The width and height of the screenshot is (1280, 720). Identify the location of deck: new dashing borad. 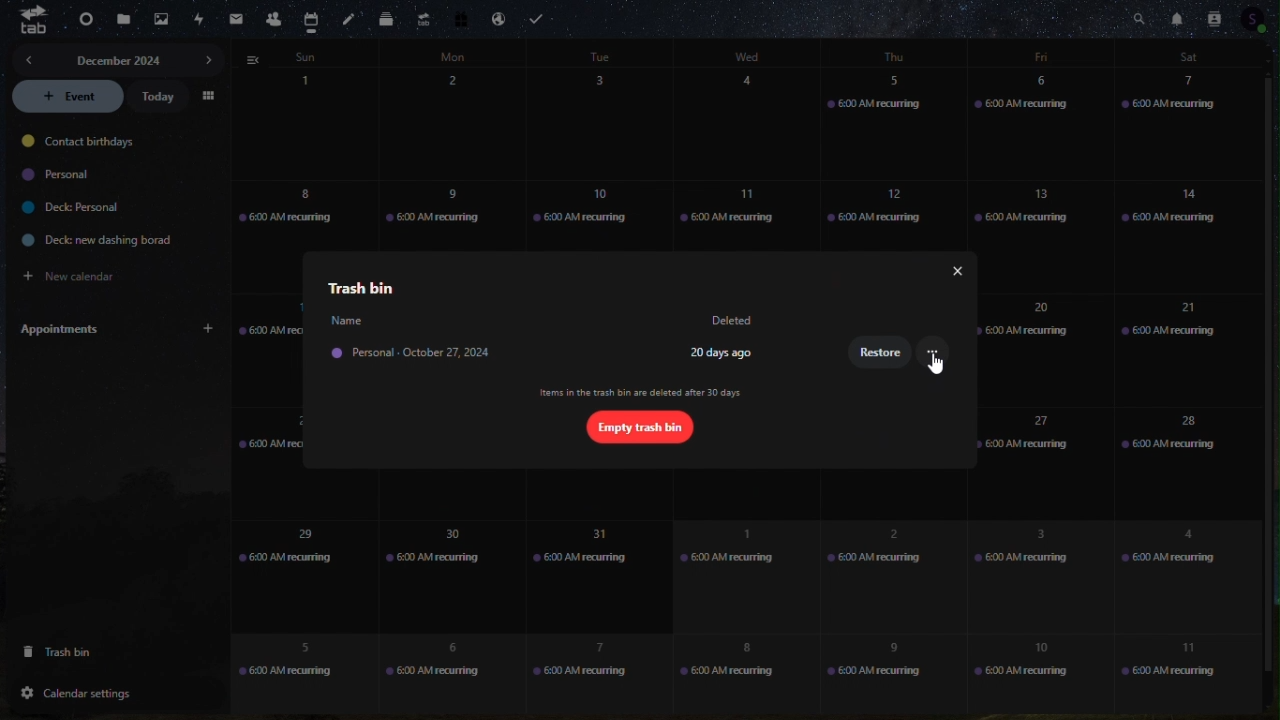
(89, 240).